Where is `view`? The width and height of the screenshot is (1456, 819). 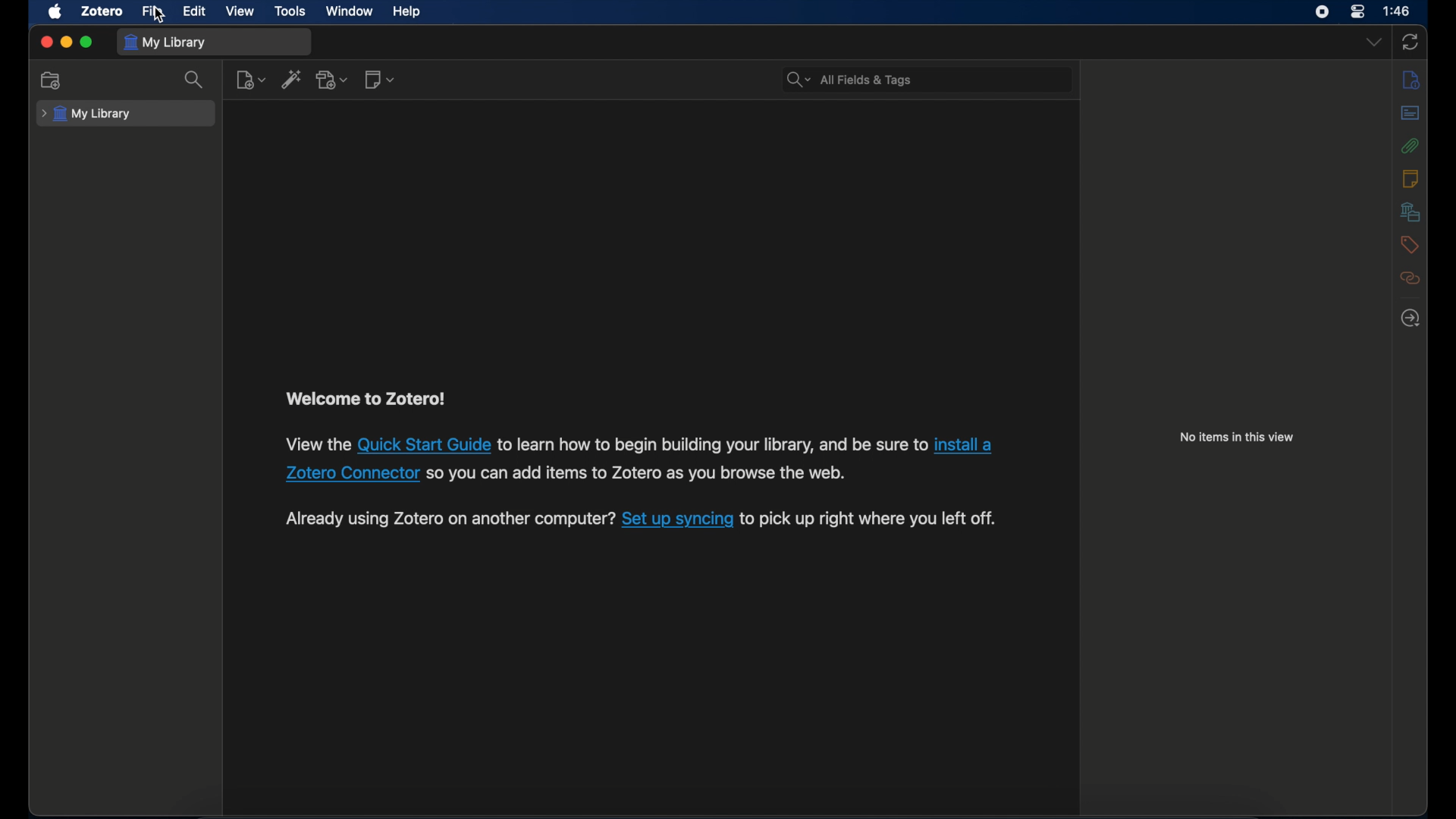 view is located at coordinates (241, 11).